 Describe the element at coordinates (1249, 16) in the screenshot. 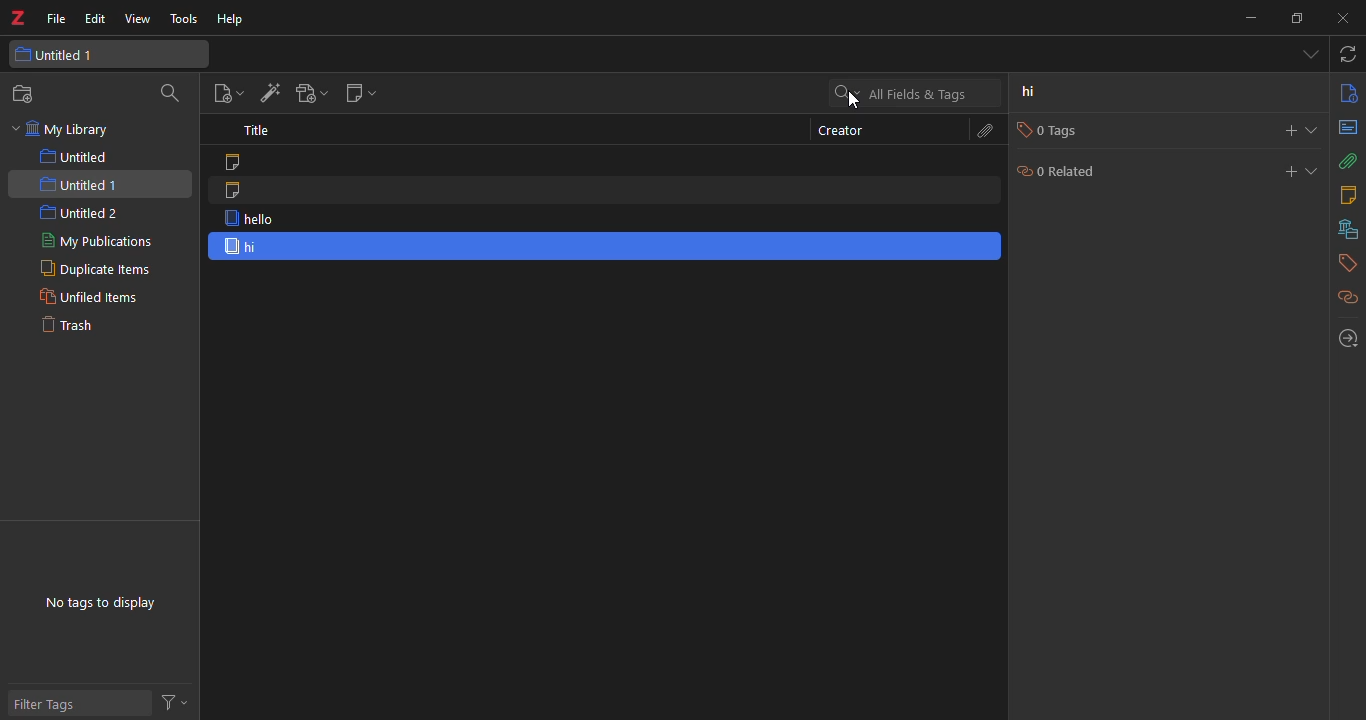

I see `minimize` at that location.